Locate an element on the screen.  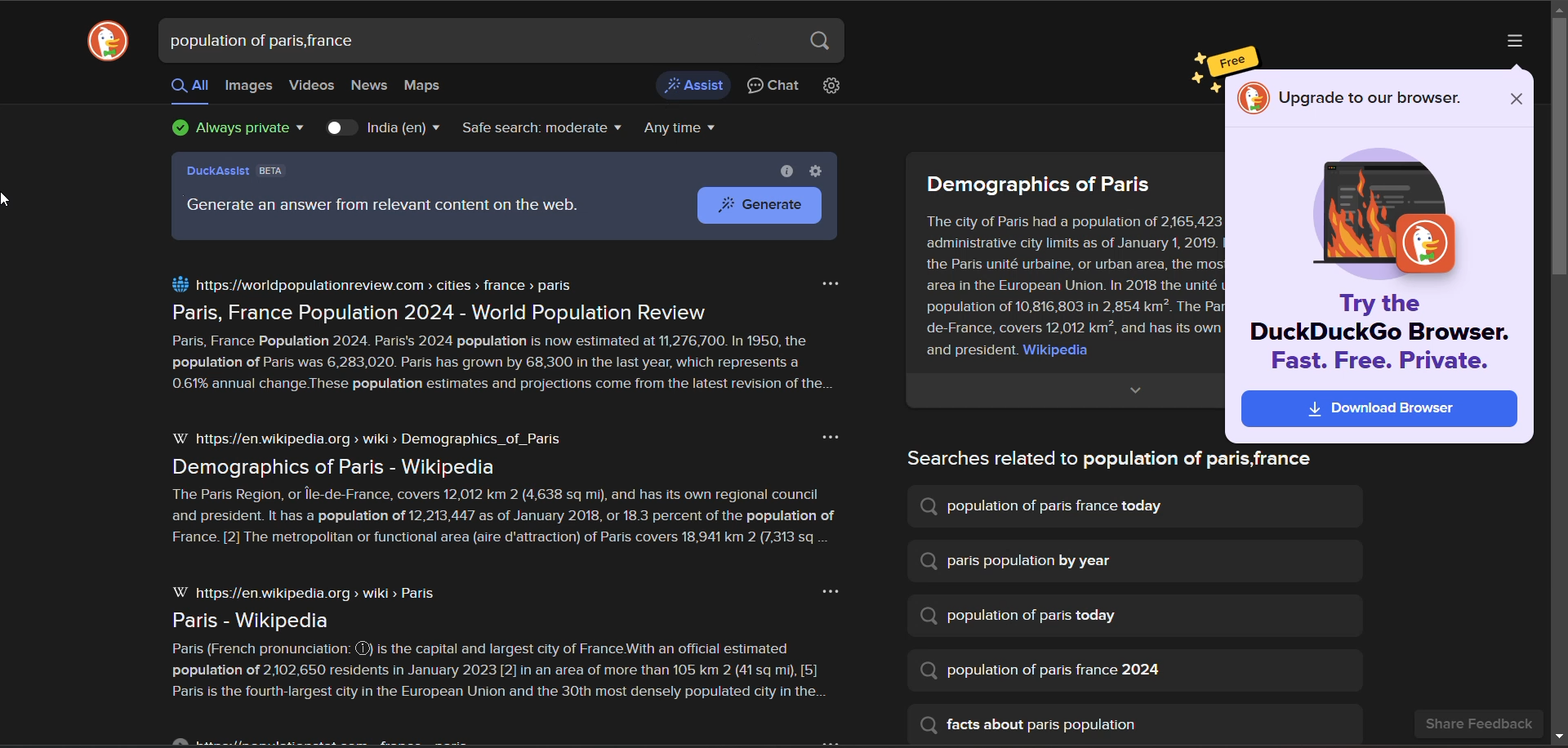
Paris, France Population 2024 - World Population Review is located at coordinates (434, 313).